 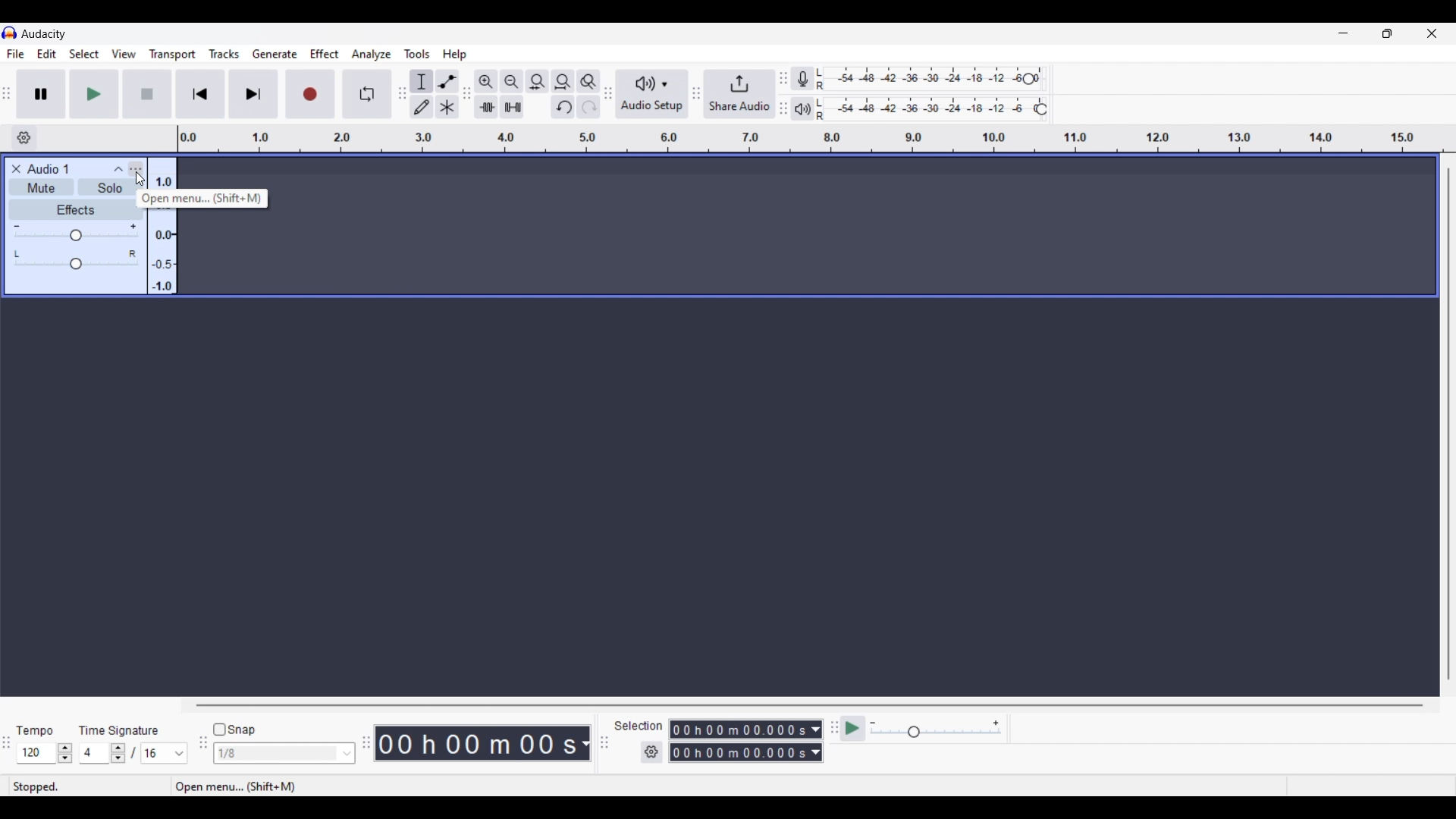 What do you see at coordinates (858, 227) in the screenshot?
I see `Recording space for added audio track` at bounding box center [858, 227].